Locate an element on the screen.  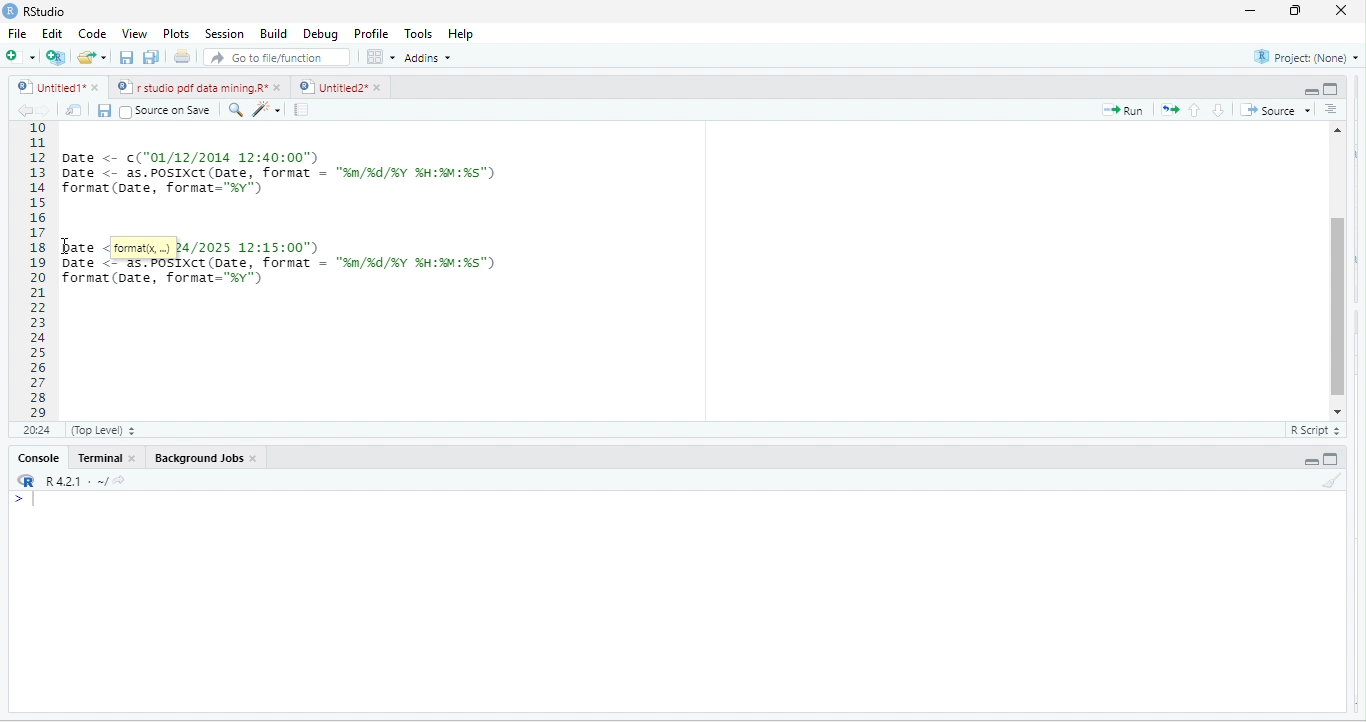
‘Source on Save is located at coordinates (165, 110).